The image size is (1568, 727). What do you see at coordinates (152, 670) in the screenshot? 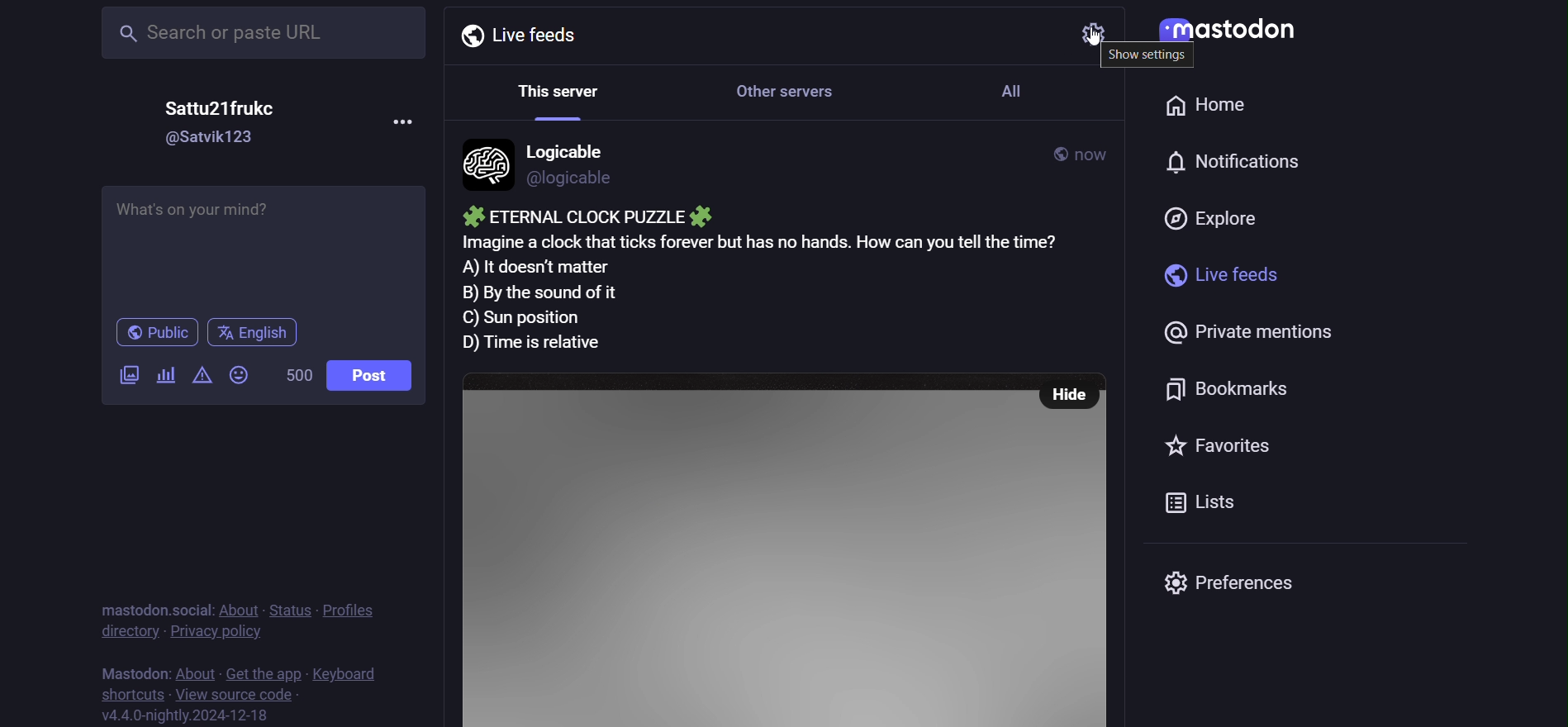
I see `mastodon social` at bounding box center [152, 670].